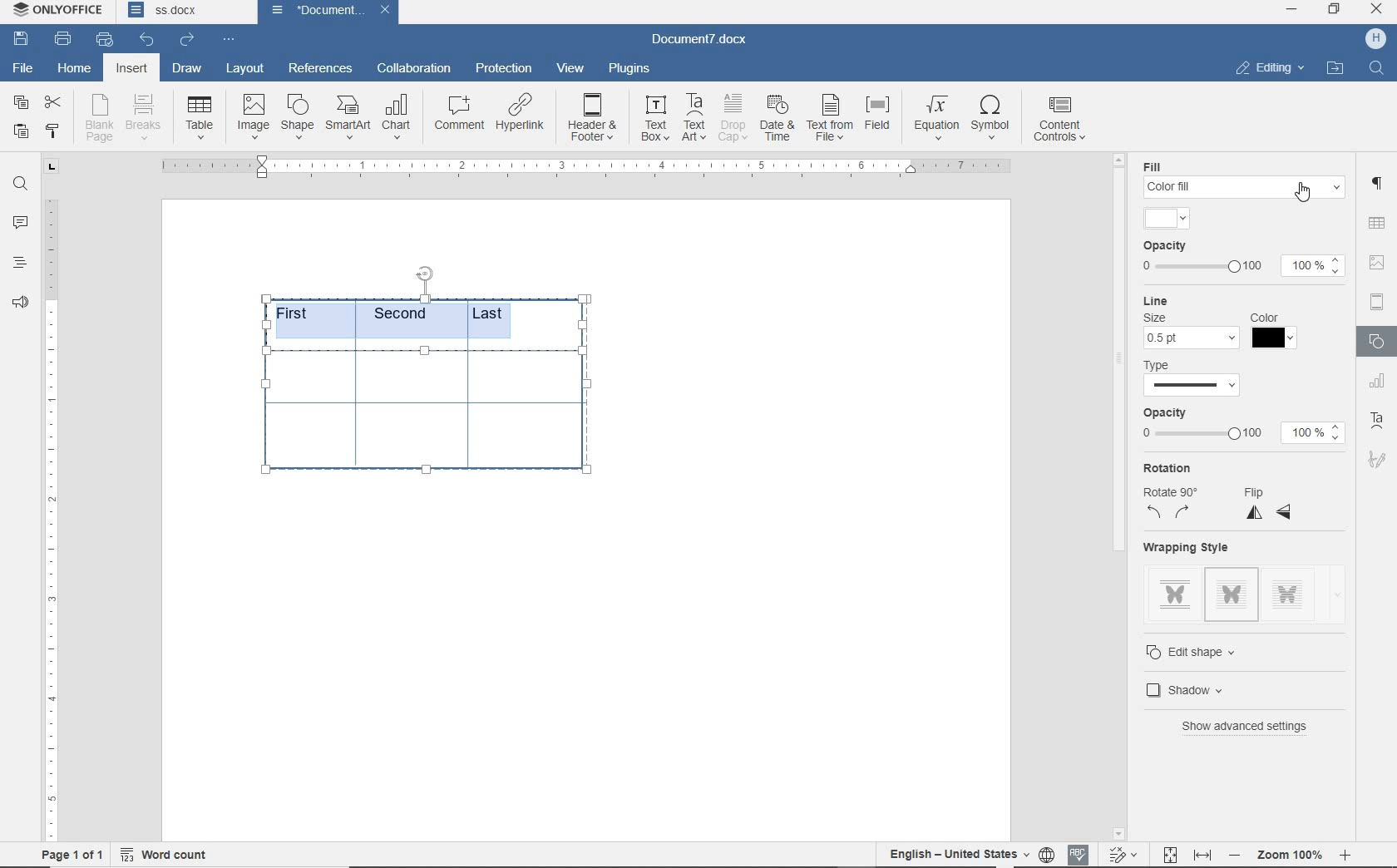  Describe the element at coordinates (185, 68) in the screenshot. I see `draw` at that location.